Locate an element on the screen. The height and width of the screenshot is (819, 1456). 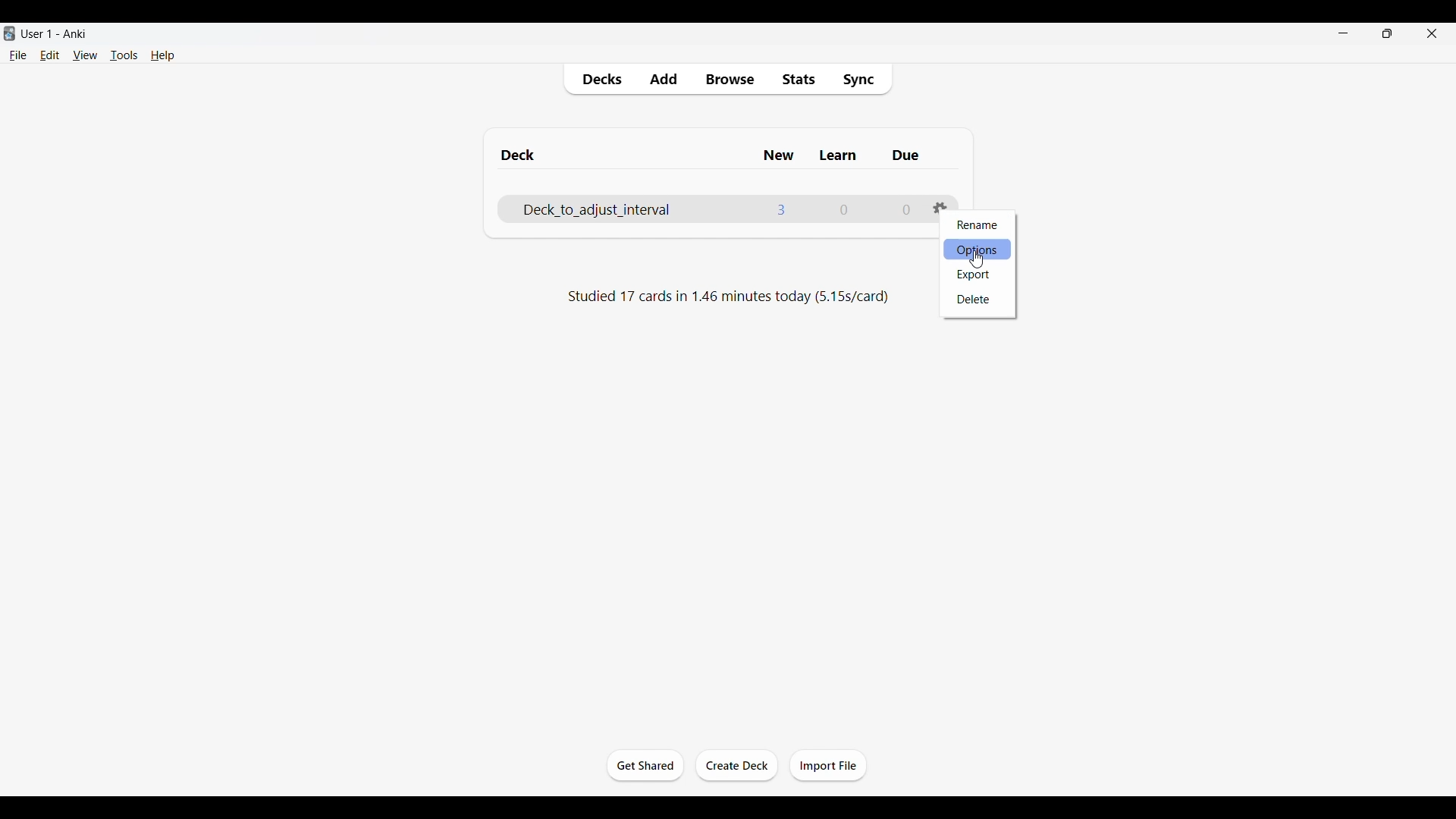
Number of new cards is located at coordinates (780, 209).